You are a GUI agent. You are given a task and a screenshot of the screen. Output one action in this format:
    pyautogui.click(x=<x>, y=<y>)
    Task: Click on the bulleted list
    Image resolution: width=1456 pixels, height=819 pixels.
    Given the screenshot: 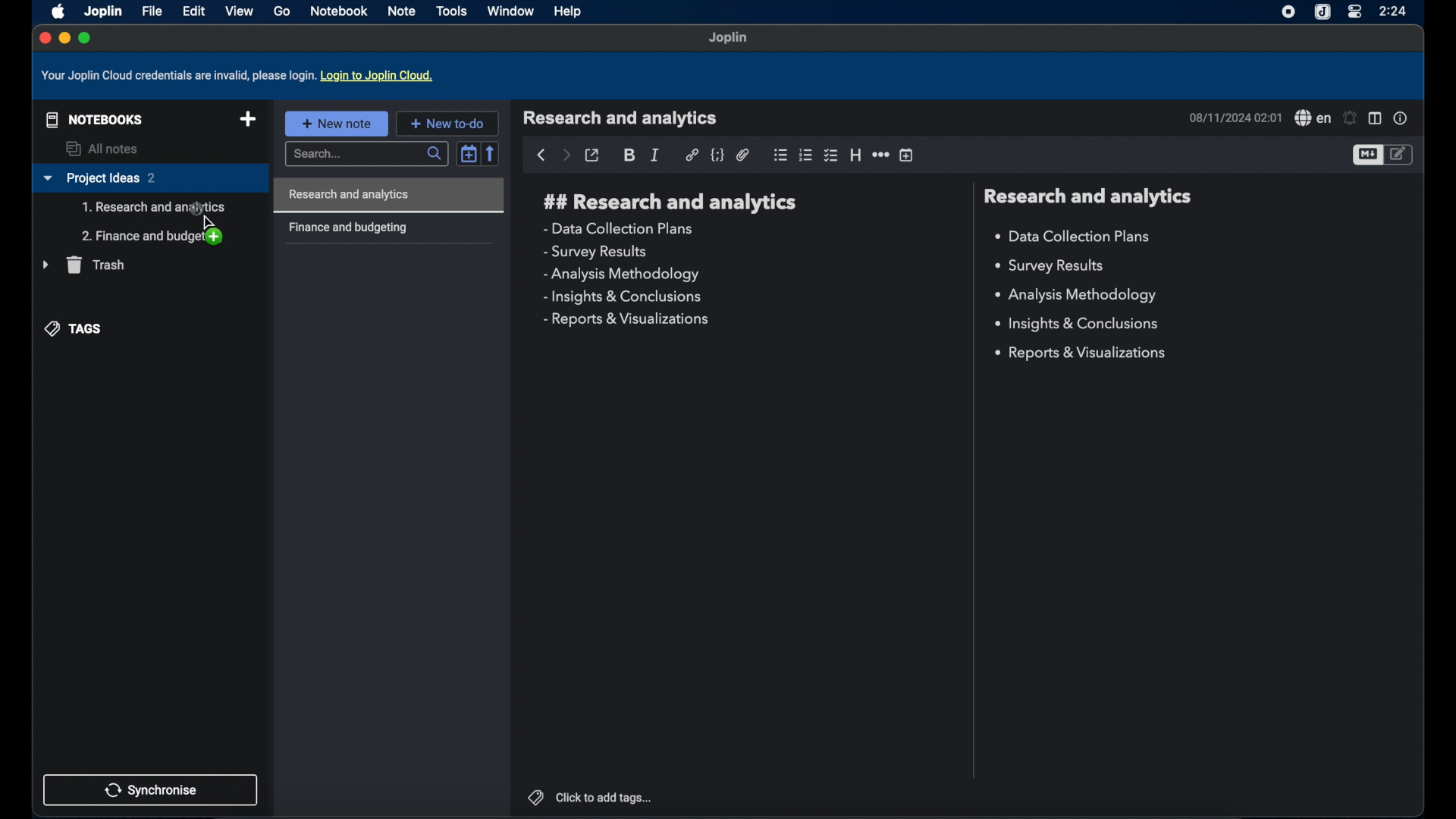 What is the action you would take?
    pyautogui.click(x=780, y=155)
    